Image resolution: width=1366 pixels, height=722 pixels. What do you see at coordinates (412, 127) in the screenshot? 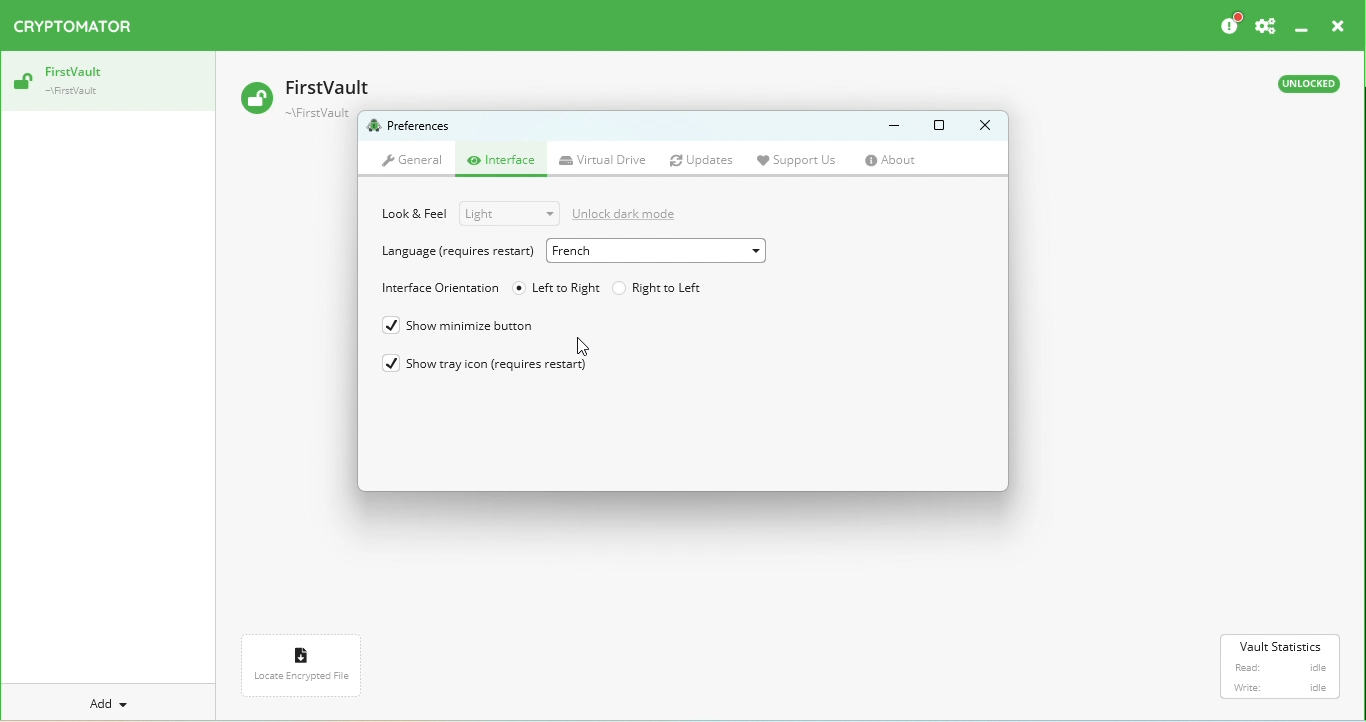
I see `Preferences` at bounding box center [412, 127].